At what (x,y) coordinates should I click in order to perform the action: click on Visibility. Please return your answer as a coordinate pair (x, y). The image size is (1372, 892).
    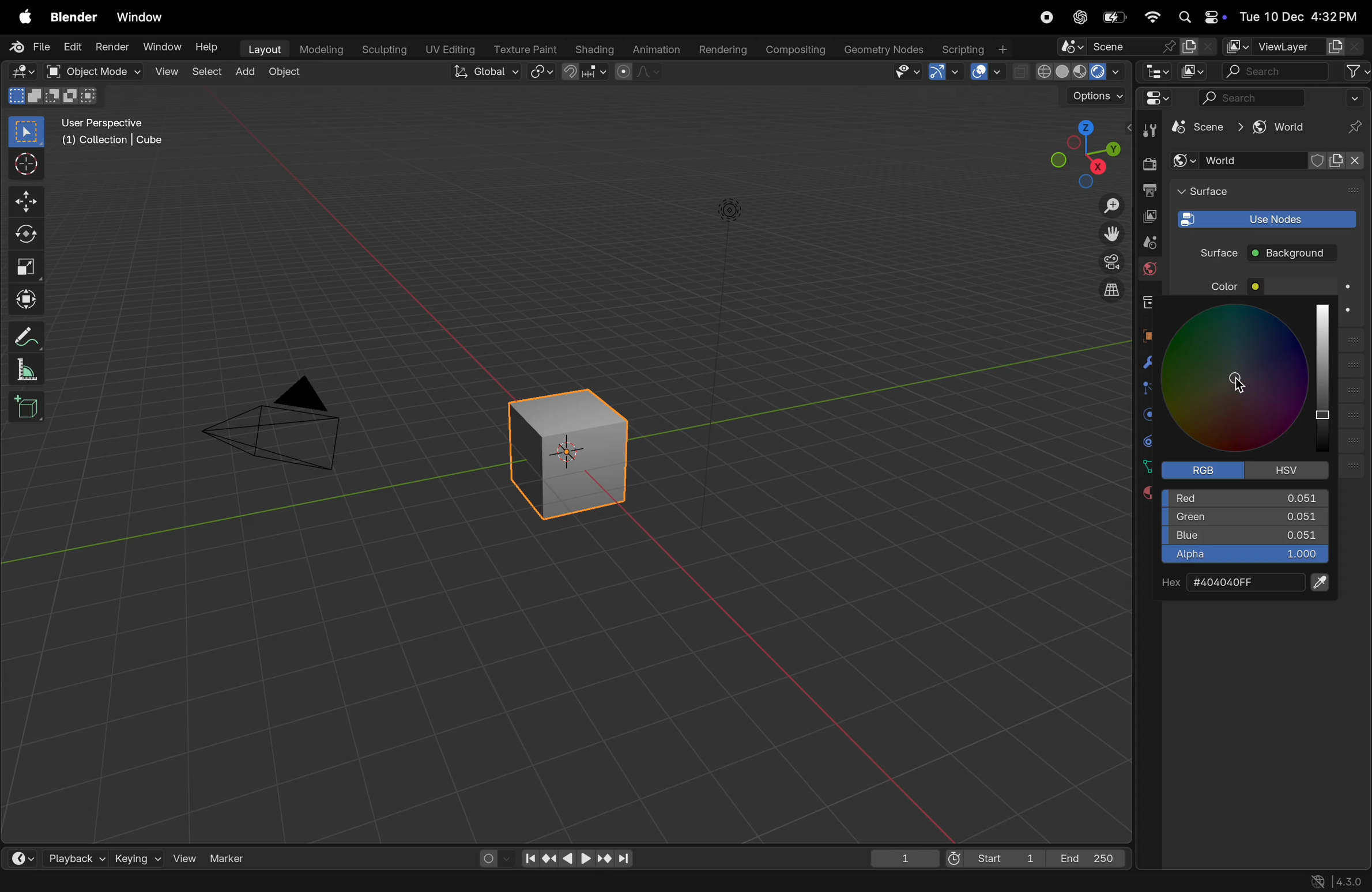
    Looking at the image, I should click on (907, 72).